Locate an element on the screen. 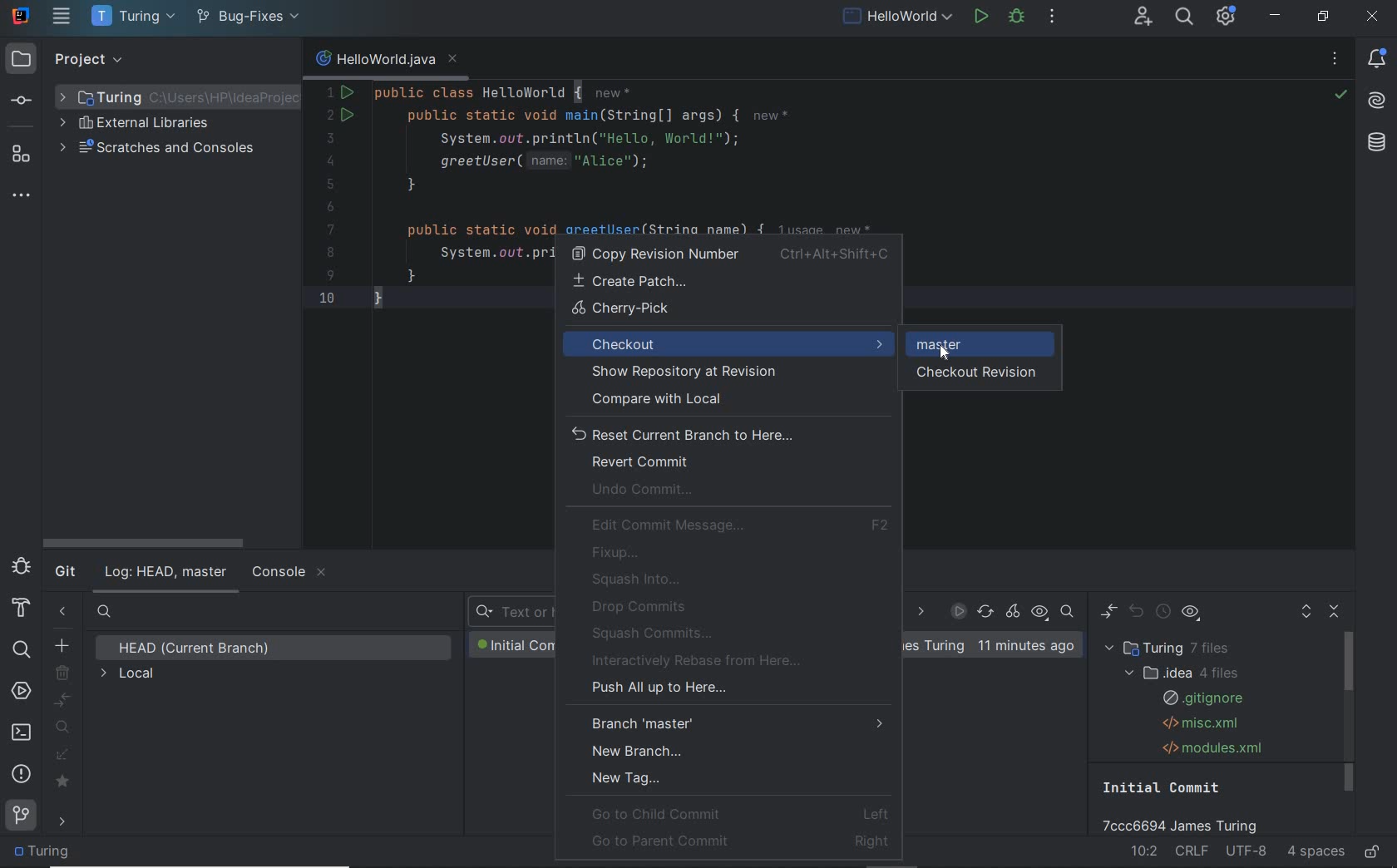 The height and width of the screenshot is (868, 1397). DATE is located at coordinates (920, 613).